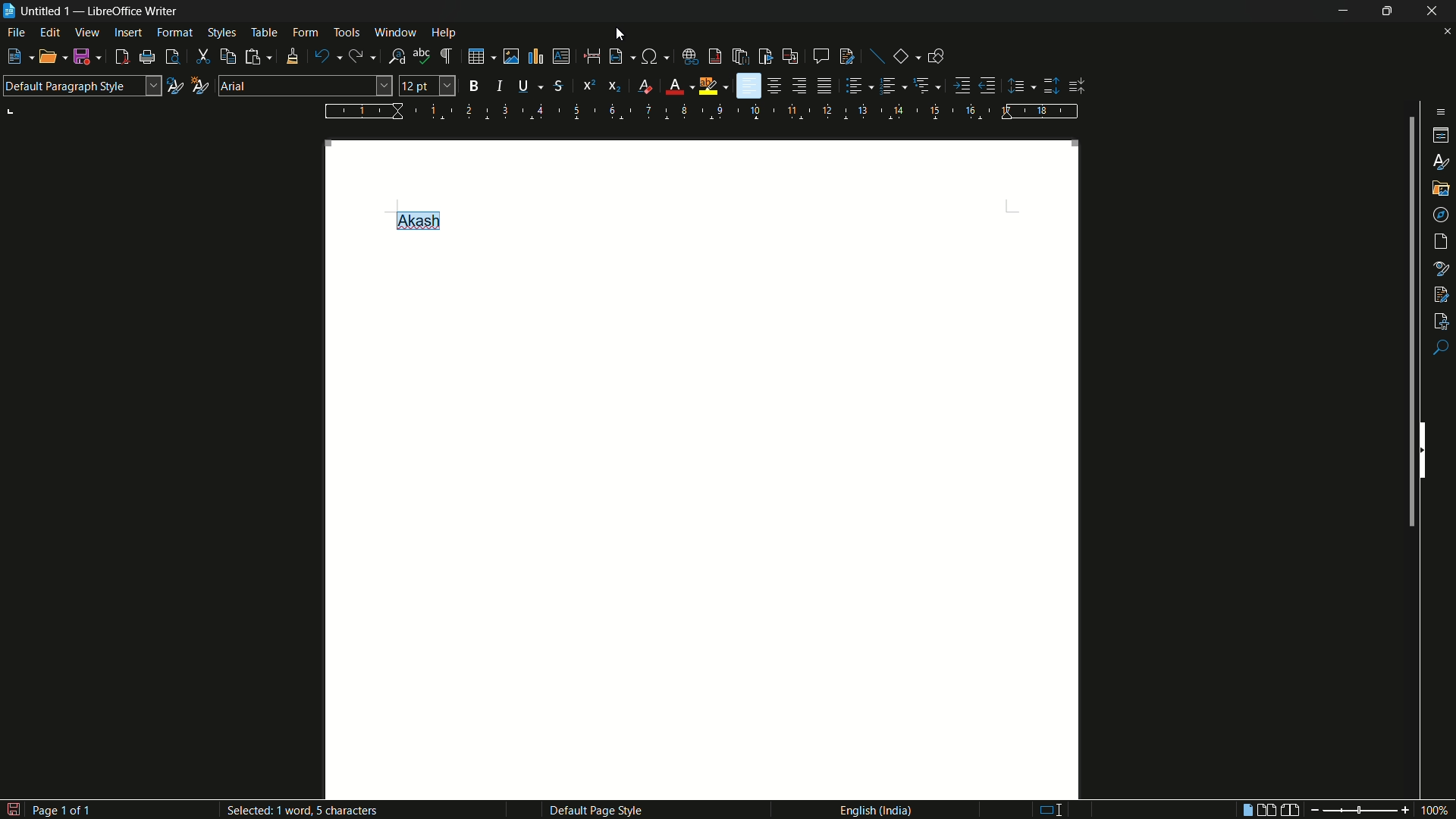 This screenshot has height=819, width=1456. What do you see at coordinates (261, 56) in the screenshot?
I see `paste` at bounding box center [261, 56].